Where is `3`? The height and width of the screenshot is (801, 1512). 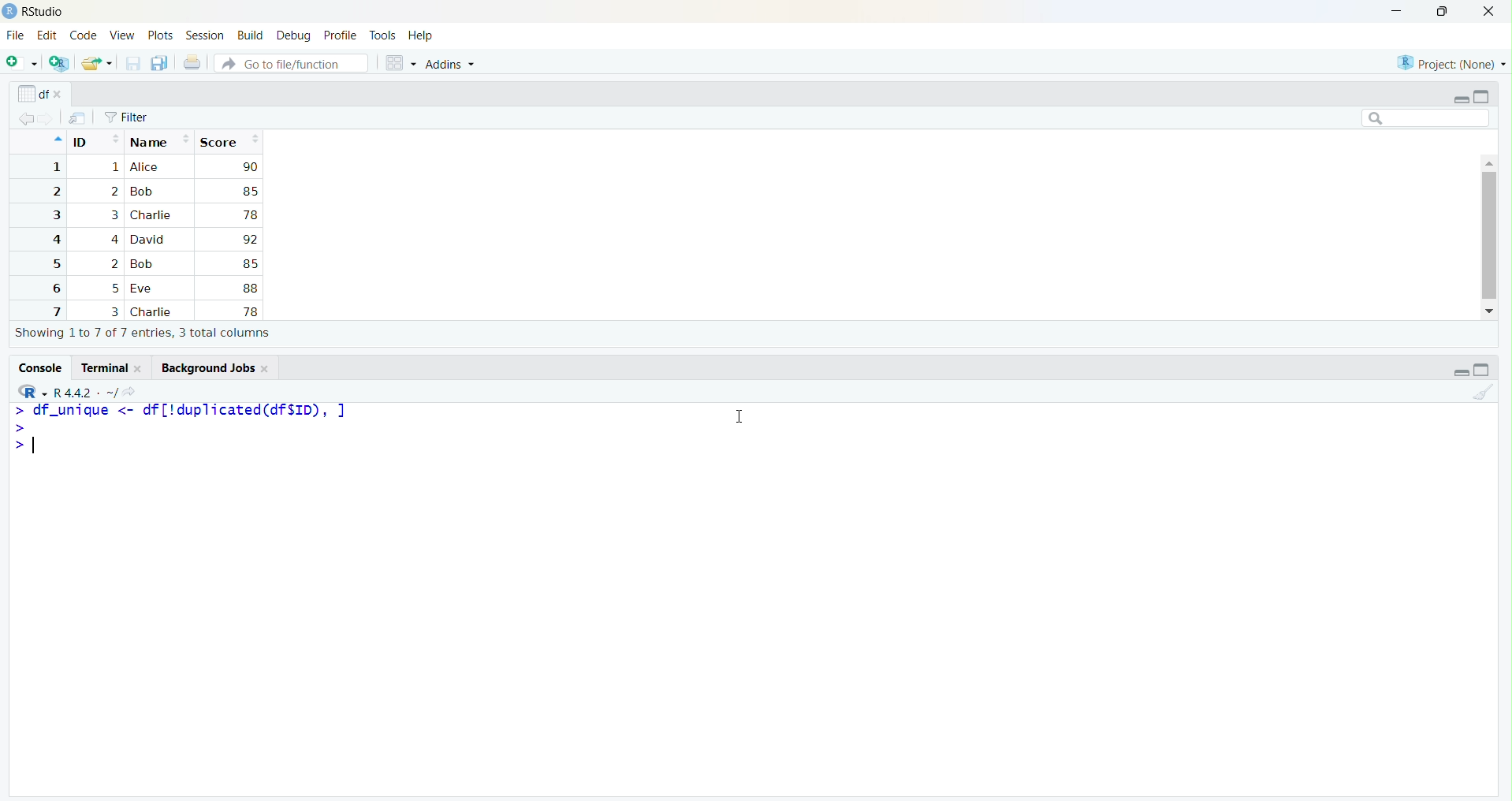
3 is located at coordinates (54, 215).